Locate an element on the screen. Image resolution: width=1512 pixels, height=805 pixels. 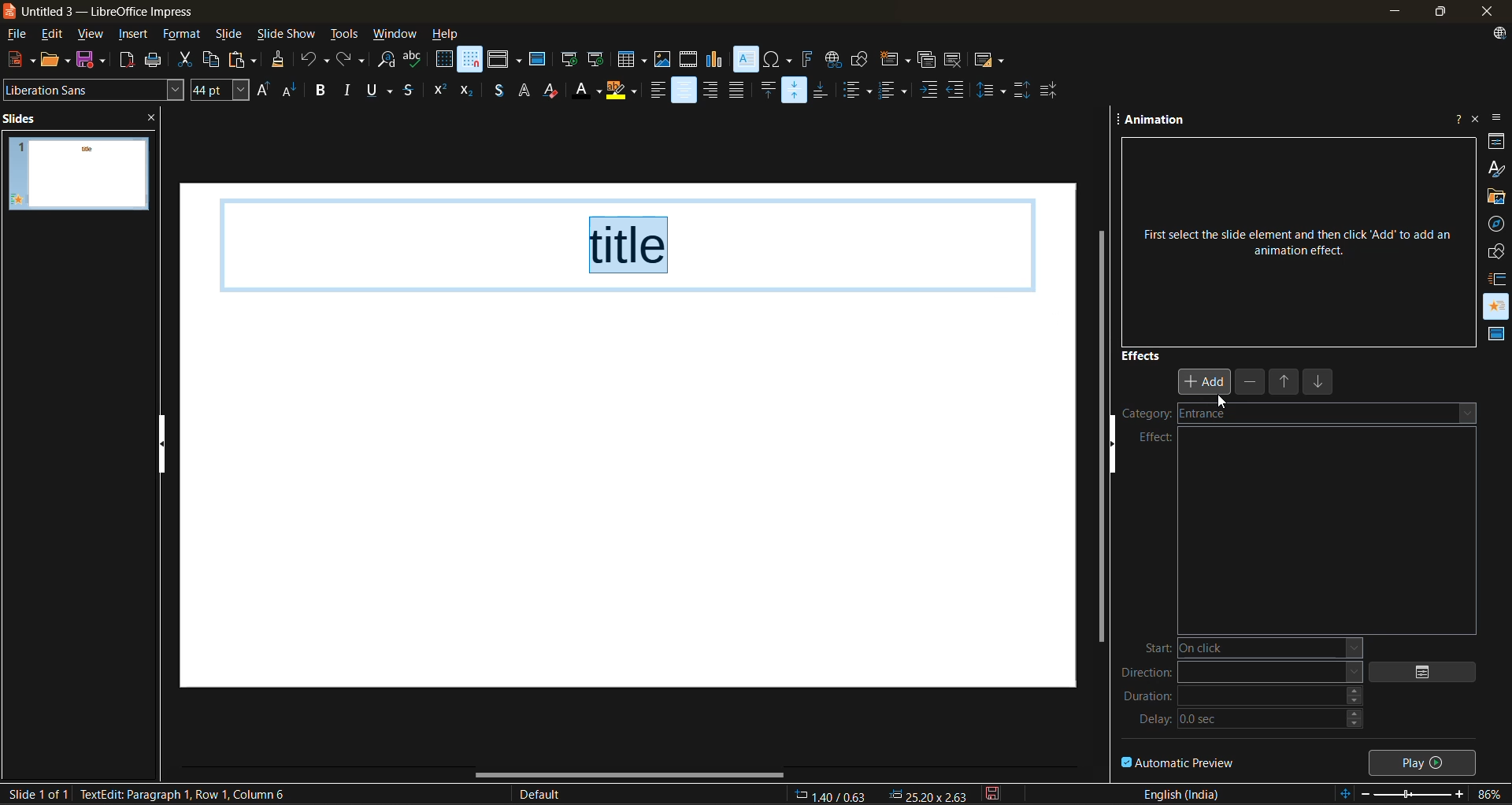
slides is located at coordinates (25, 117).